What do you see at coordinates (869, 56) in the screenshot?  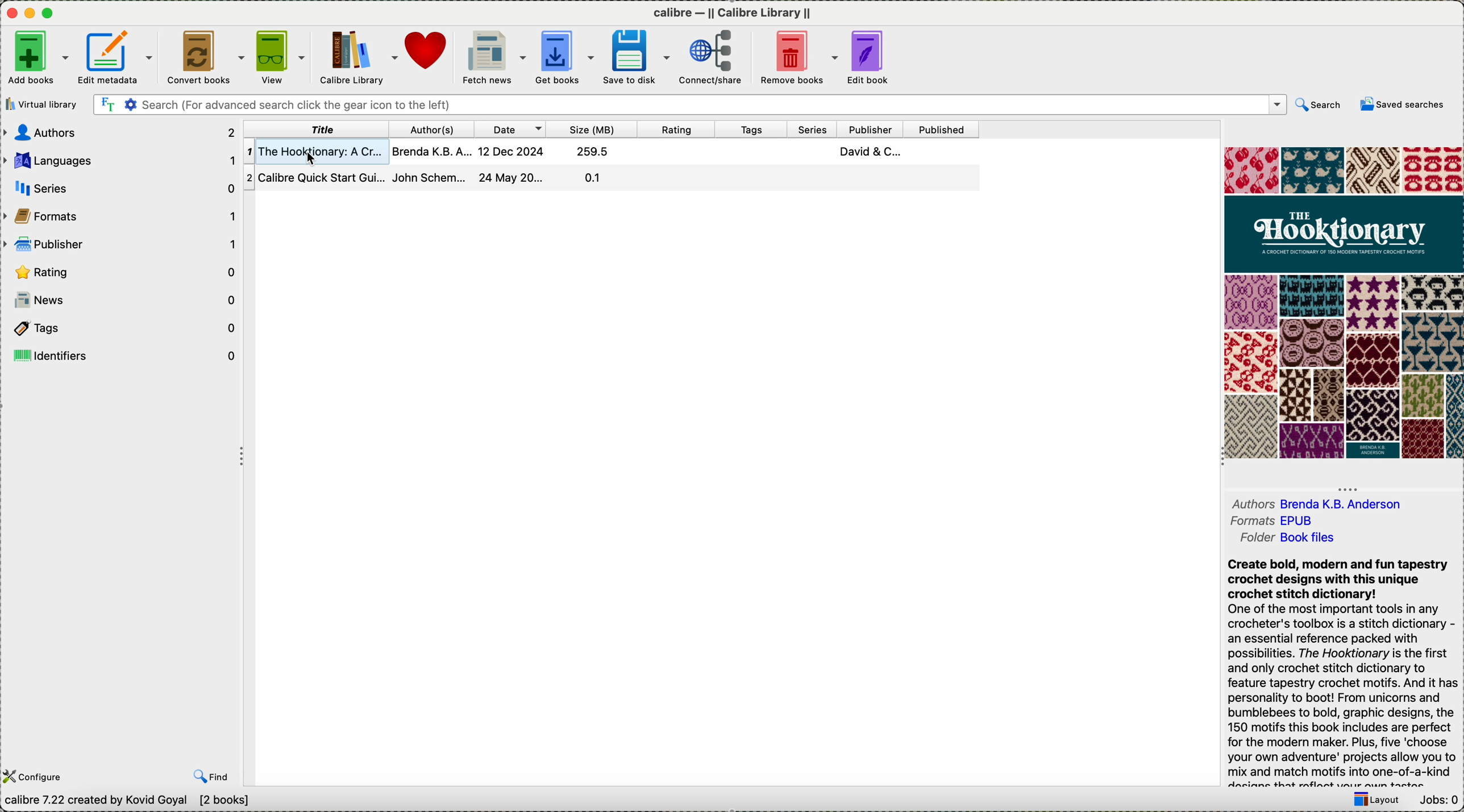 I see `edit book` at bounding box center [869, 56].